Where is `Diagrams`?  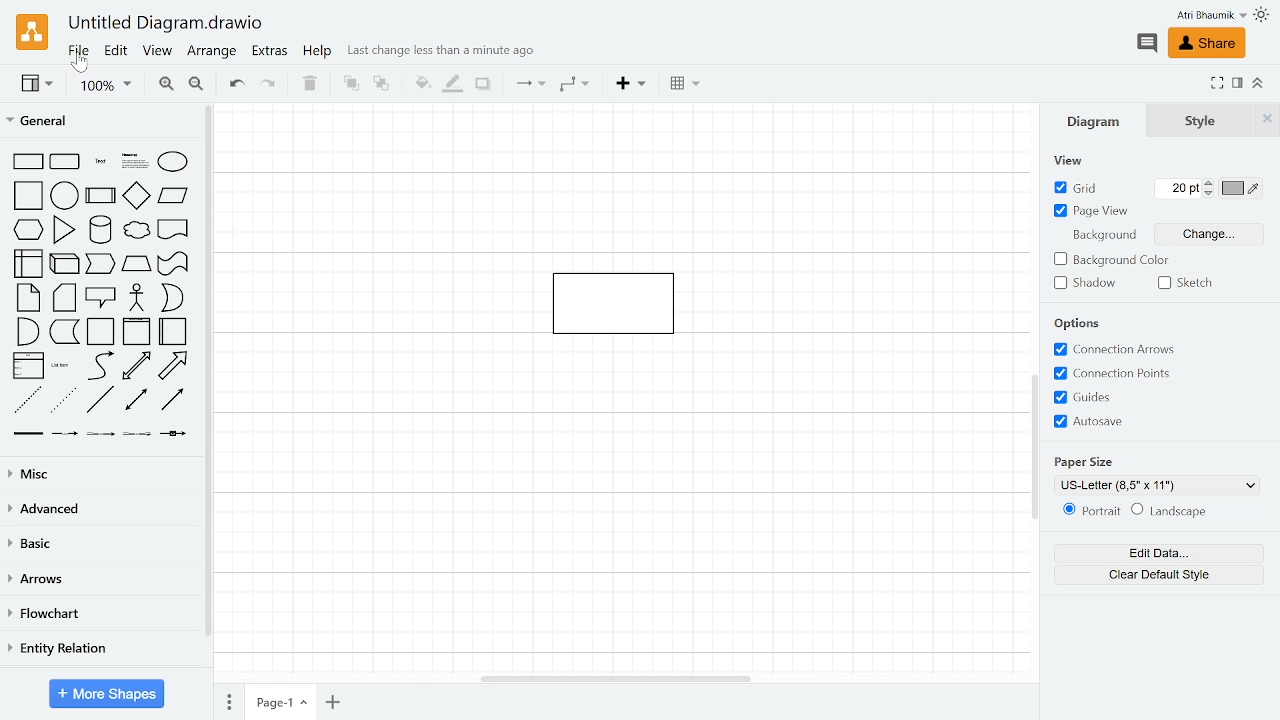 Diagrams is located at coordinates (1095, 124).